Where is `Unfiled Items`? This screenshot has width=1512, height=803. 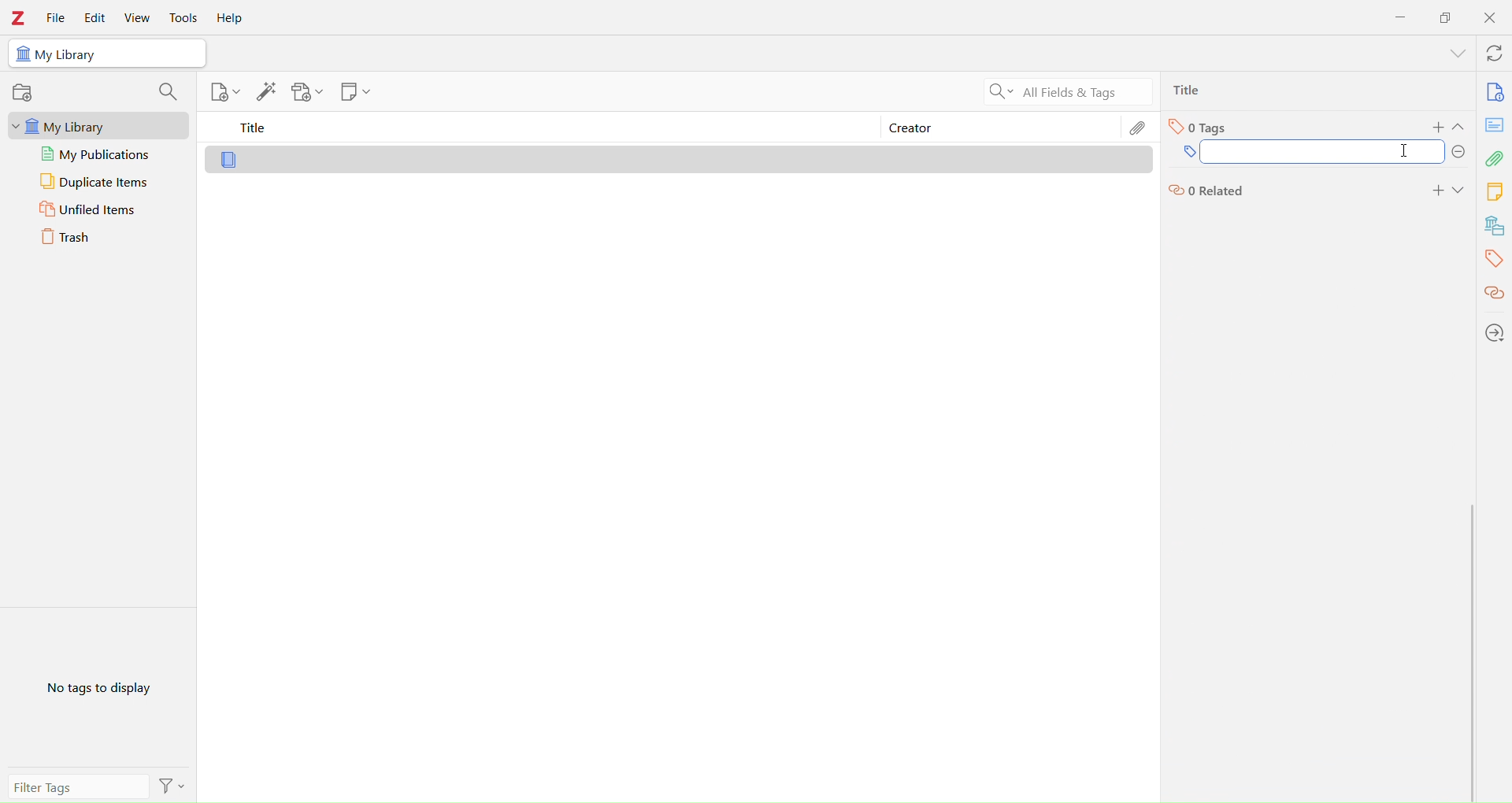 Unfiled Items is located at coordinates (91, 212).